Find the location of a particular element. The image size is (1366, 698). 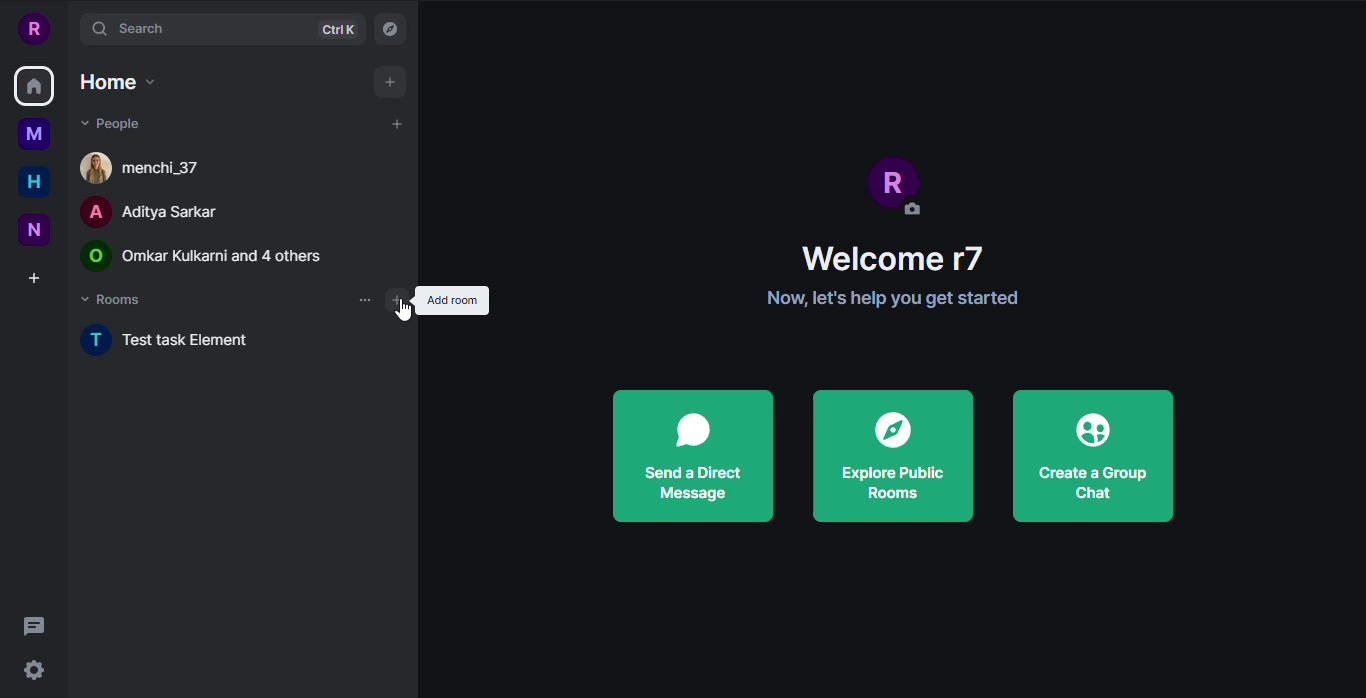

add room is located at coordinates (454, 301).